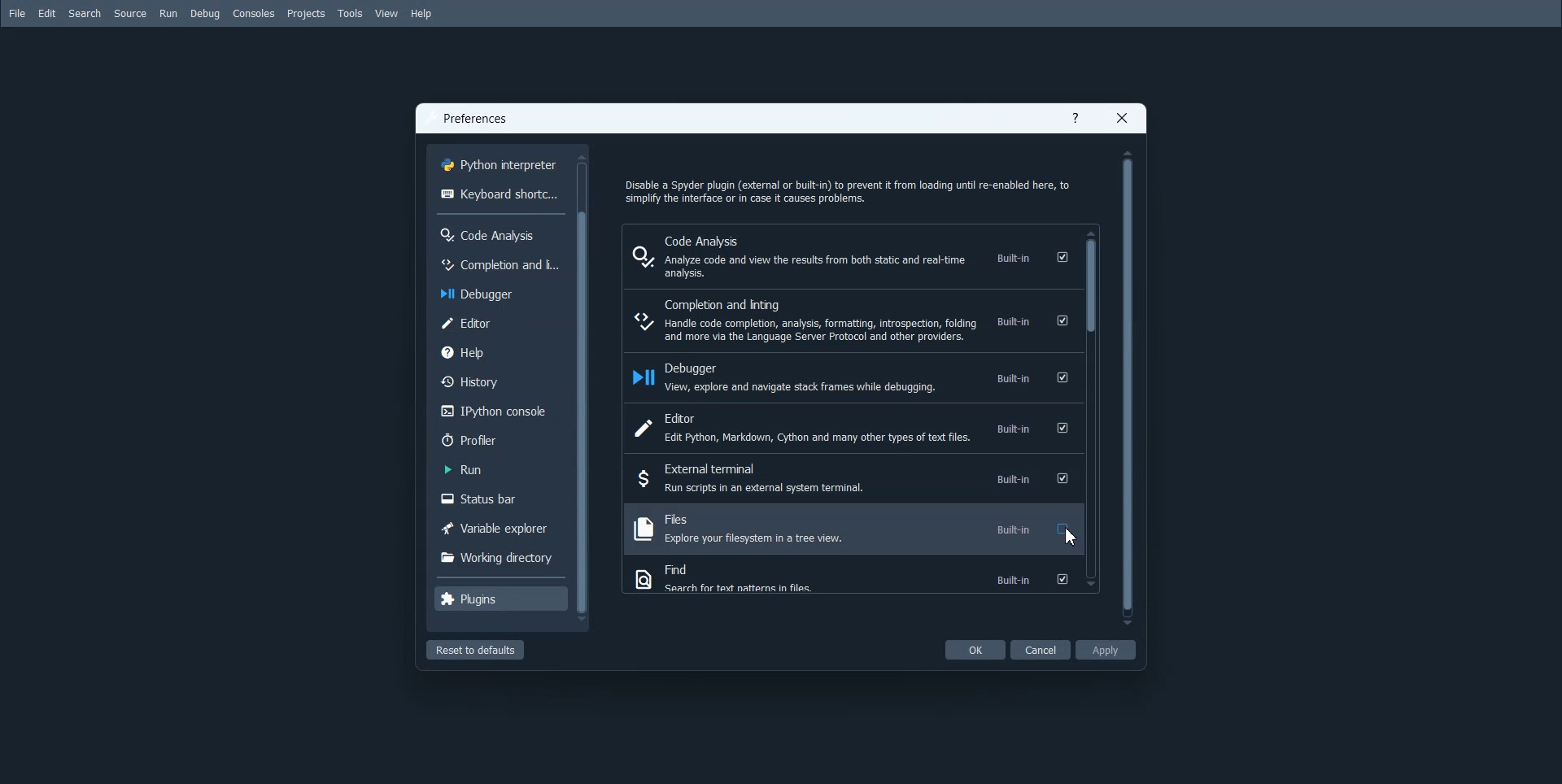 This screenshot has width=1562, height=784. What do you see at coordinates (1078, 544) in the screenshot?
I see `cursor` at bounding box center [1078, 544].